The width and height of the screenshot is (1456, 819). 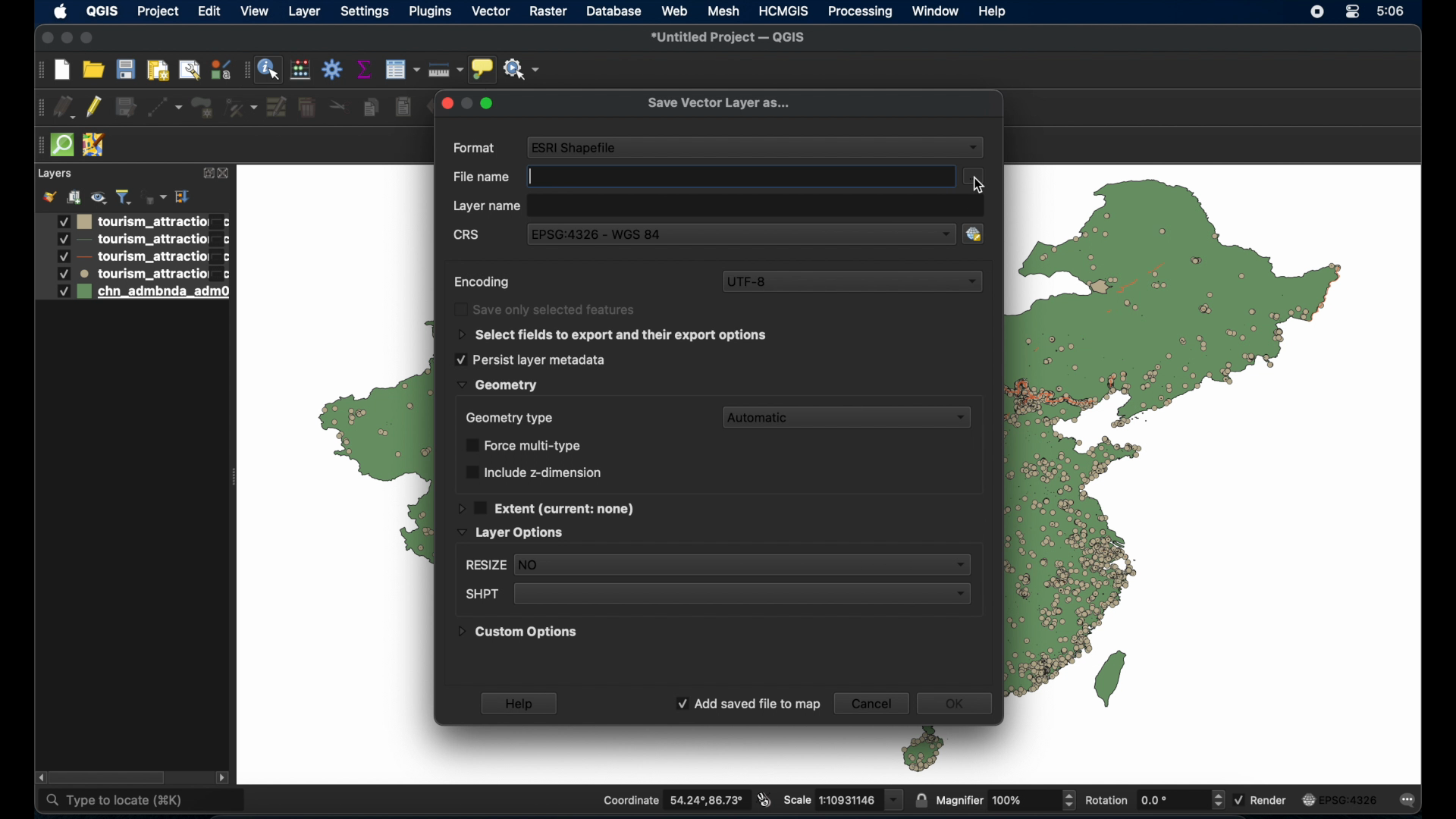 What do you see at coordinates (125, 69) in the screenshot?
I see `save project` at bounding box center [125, 69].